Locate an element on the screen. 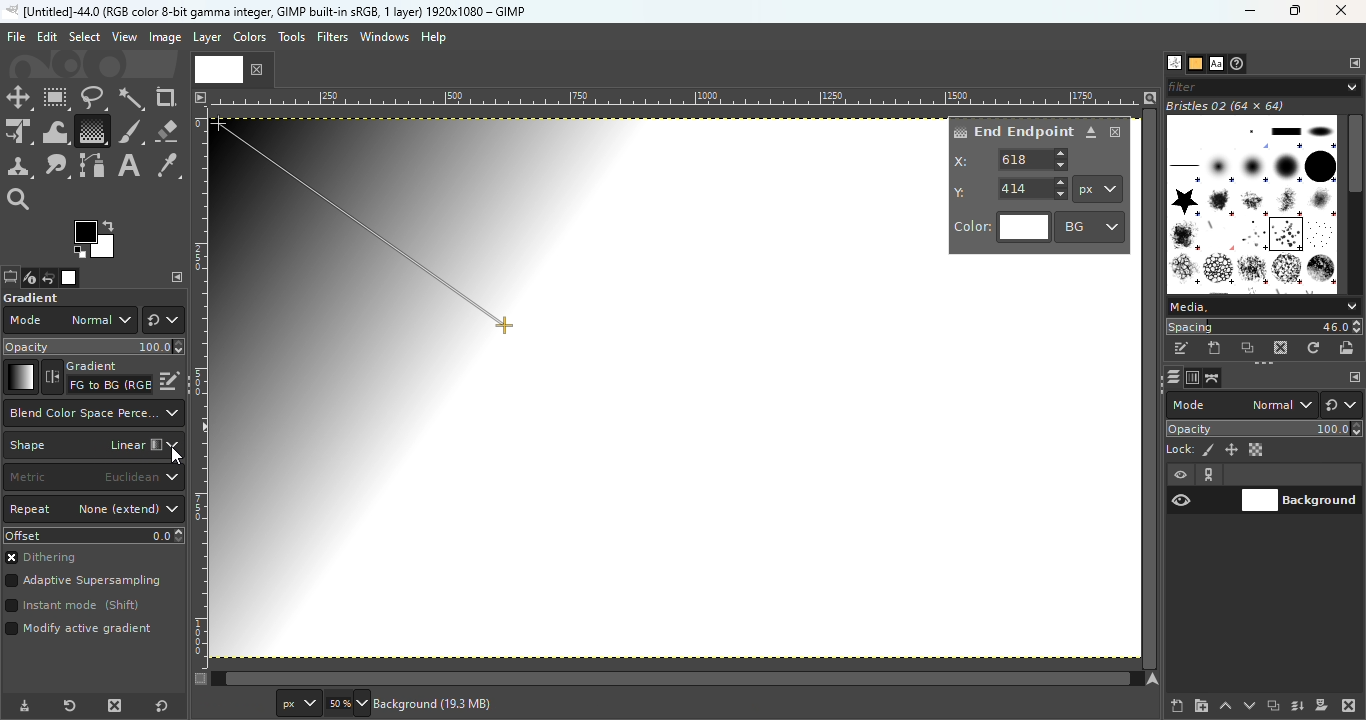 The height and width of the screenshot is (720, 1366). Open the channels dialog is located at coordinates (1191, 376).